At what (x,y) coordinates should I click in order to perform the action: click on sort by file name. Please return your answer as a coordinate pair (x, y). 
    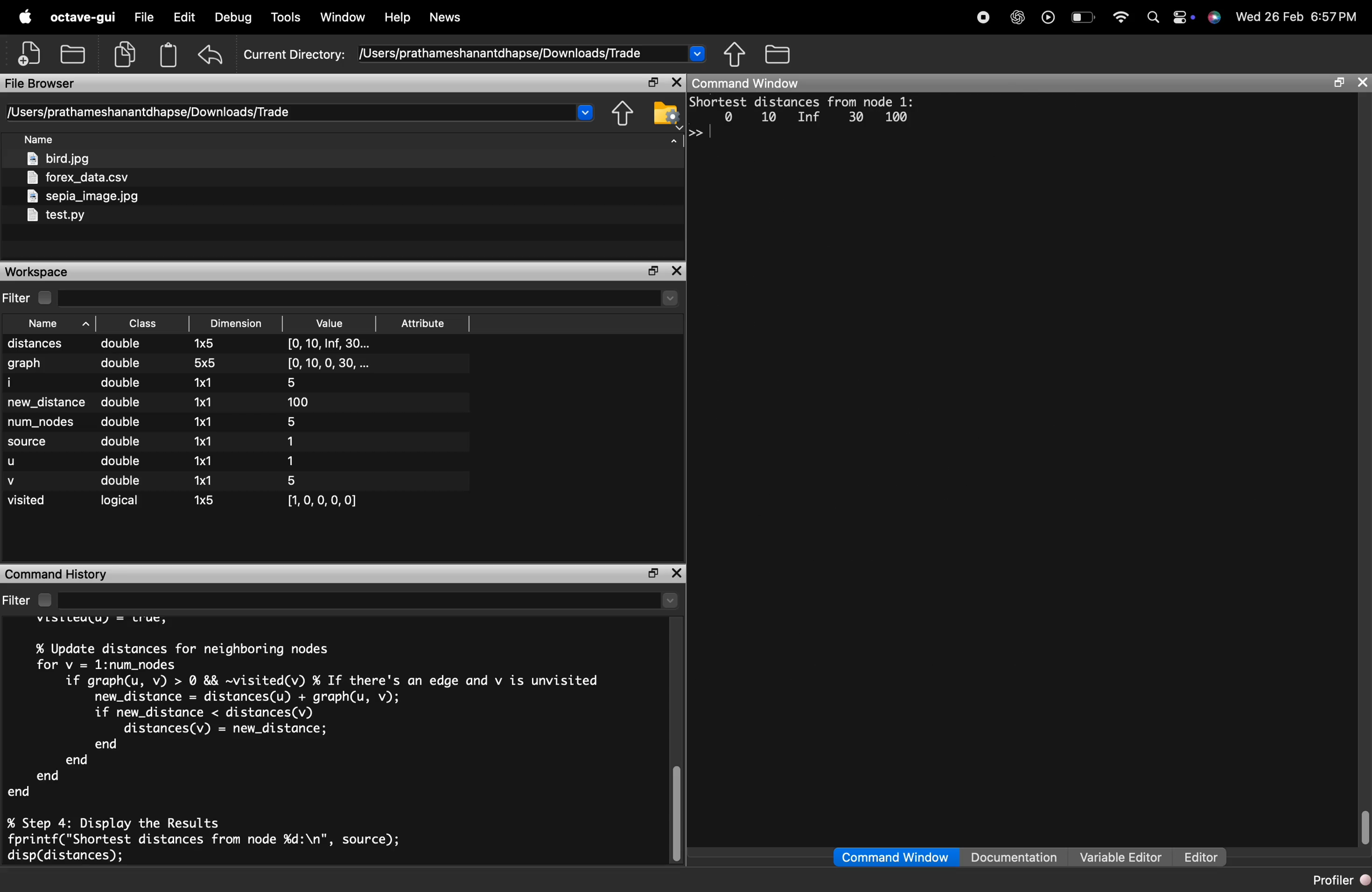
    Looking at the image, I should click on (38, 139).